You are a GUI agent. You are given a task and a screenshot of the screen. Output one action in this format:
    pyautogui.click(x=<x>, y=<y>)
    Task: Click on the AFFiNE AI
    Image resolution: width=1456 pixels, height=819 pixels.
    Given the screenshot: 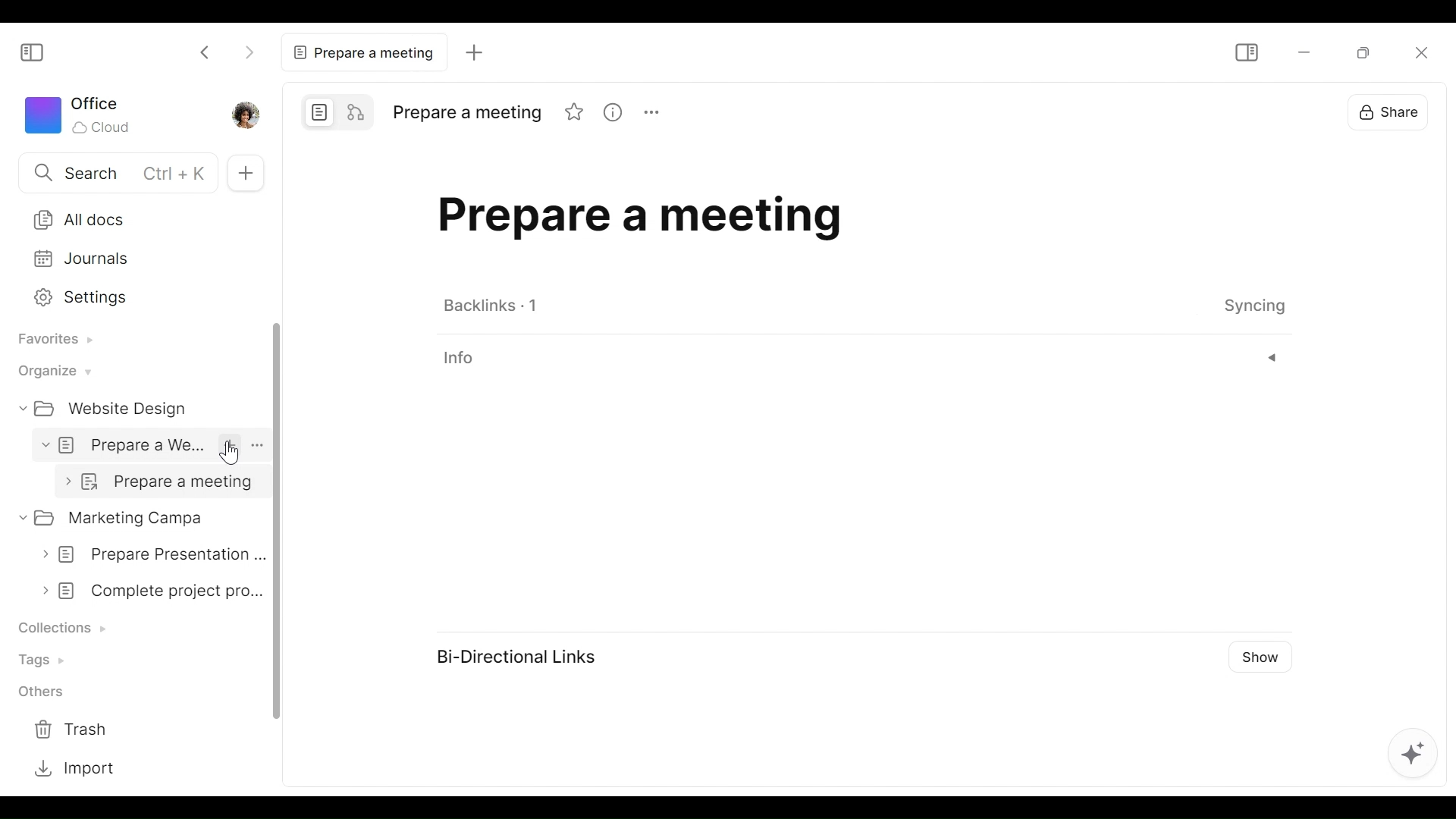 What is the action you would take?
    pyautogui.click(x=1417, y=757)
    